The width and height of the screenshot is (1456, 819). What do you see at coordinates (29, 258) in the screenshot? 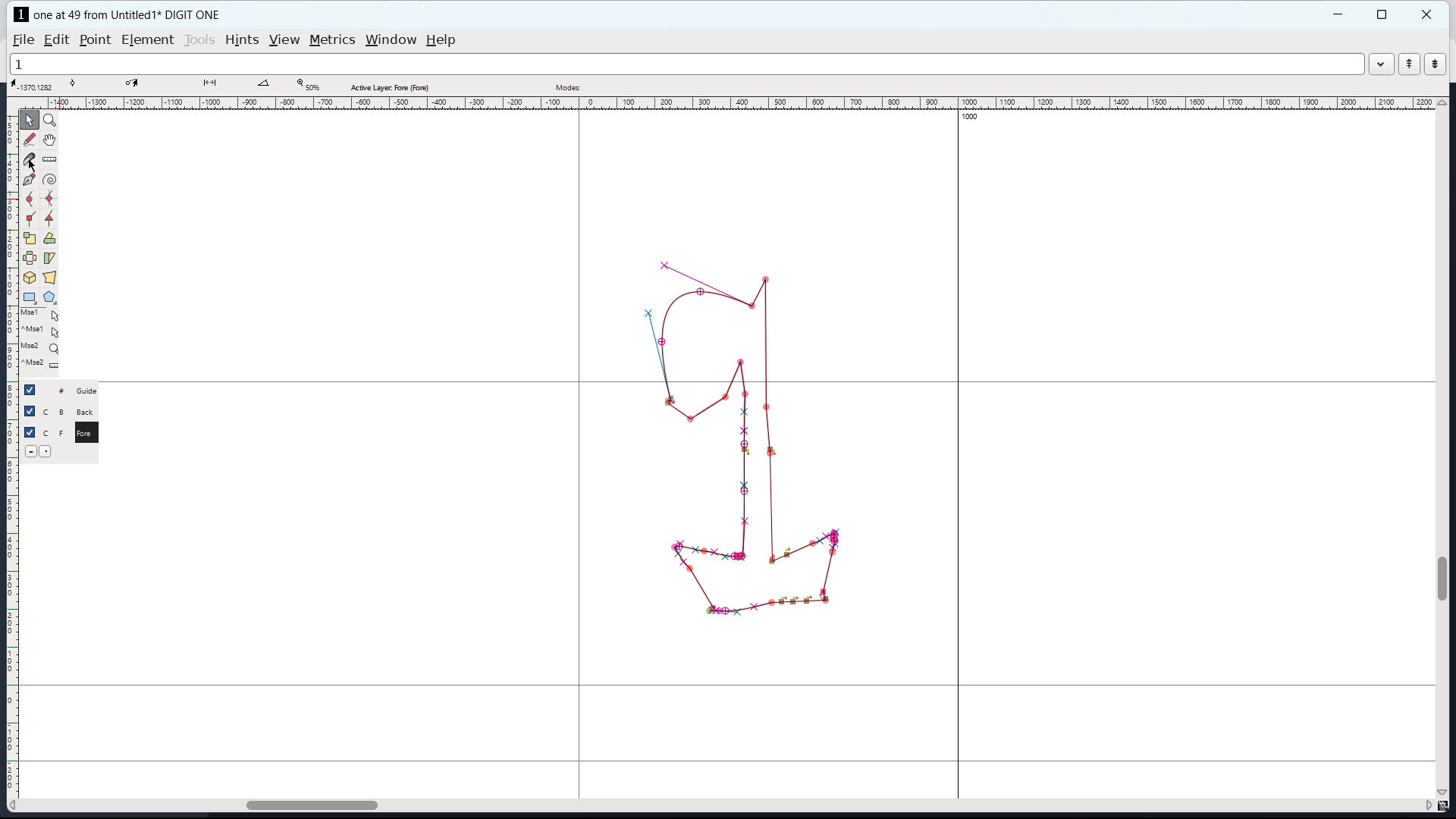
I see `flip selection` at bounding box center [29, 258].